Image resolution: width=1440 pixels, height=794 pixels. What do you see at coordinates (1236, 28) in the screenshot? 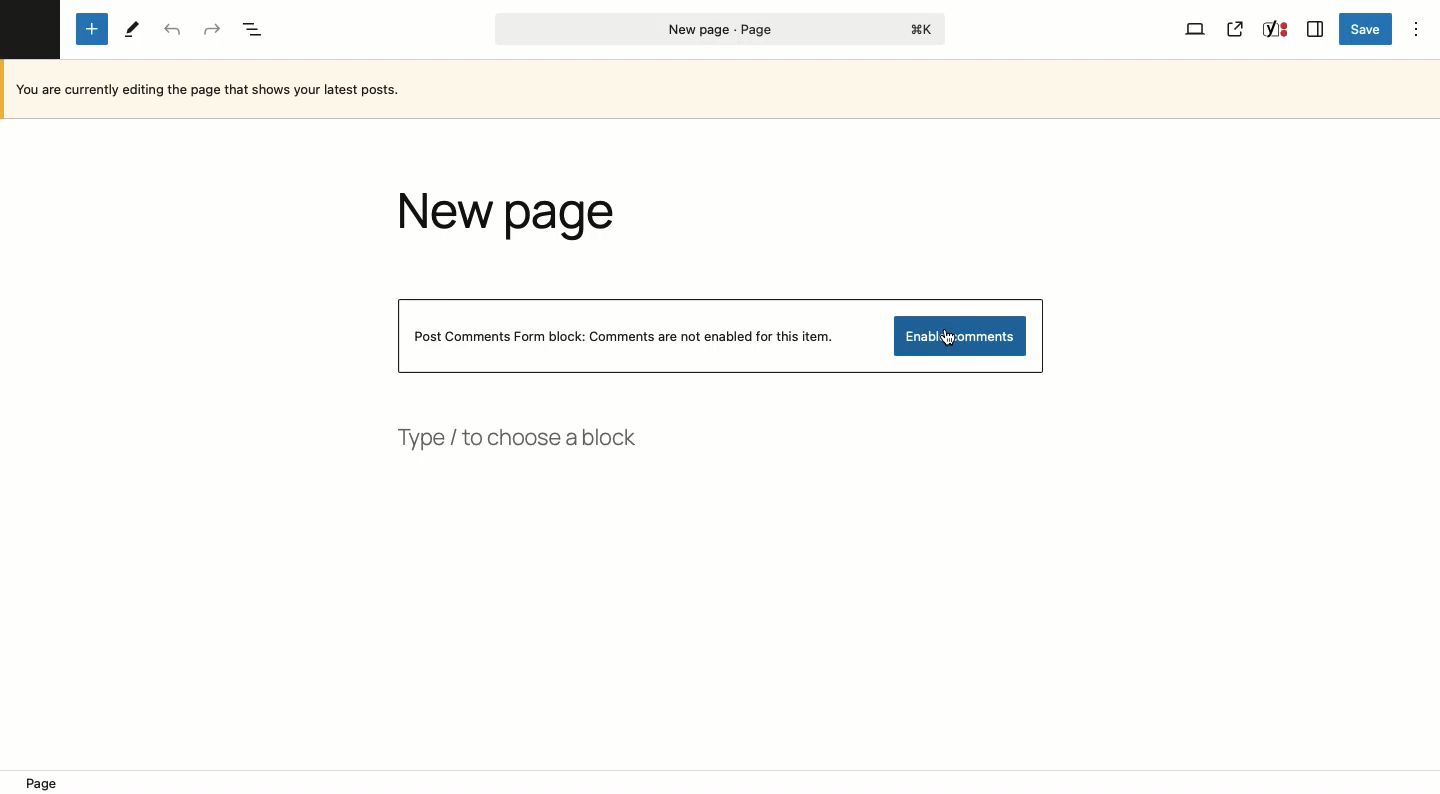
I see `View page` at bounding box center [1236, 28].